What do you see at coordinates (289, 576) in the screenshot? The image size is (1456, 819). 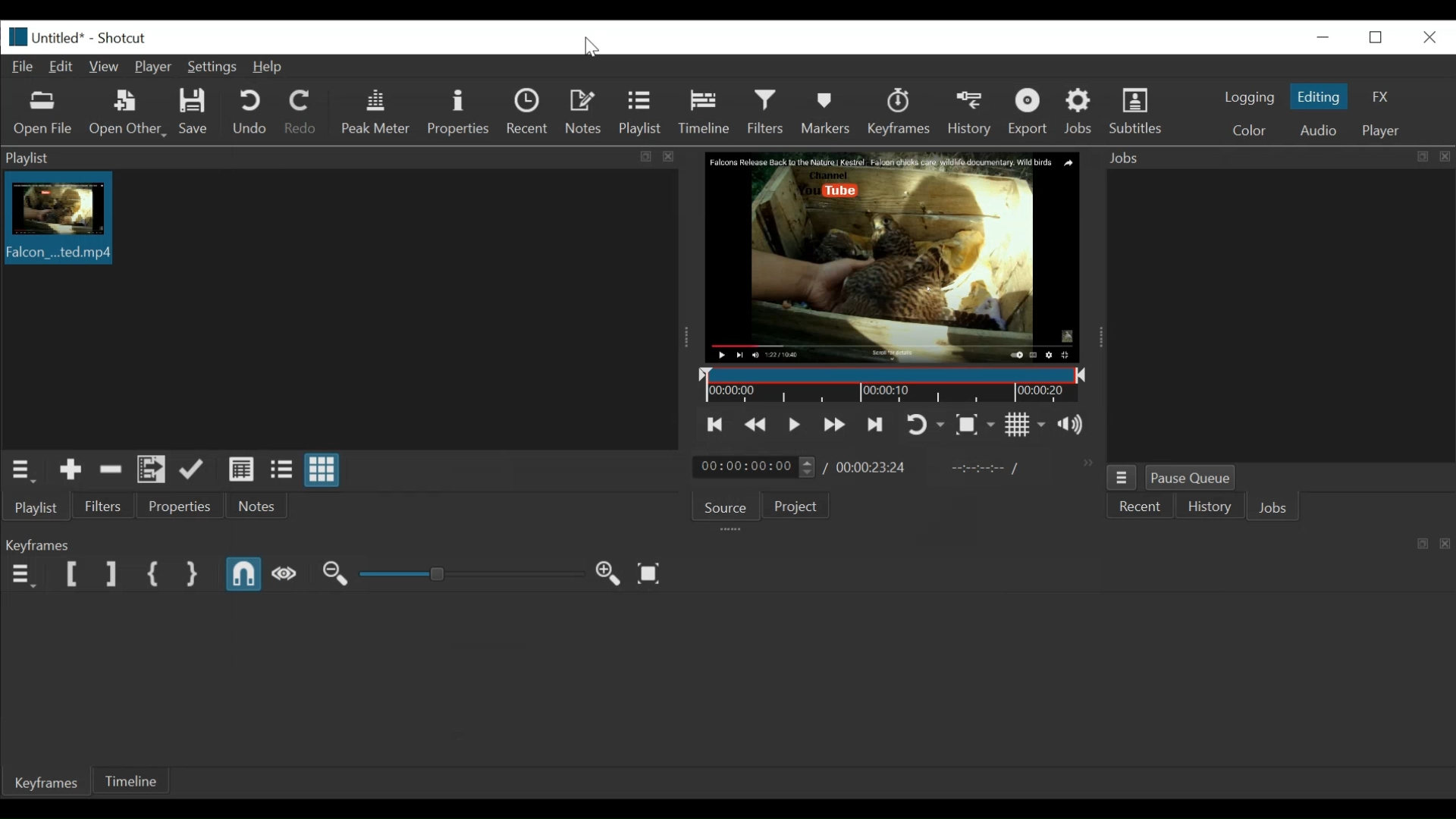 I see `Scrub while dragging` at bounding box center [289, 576].